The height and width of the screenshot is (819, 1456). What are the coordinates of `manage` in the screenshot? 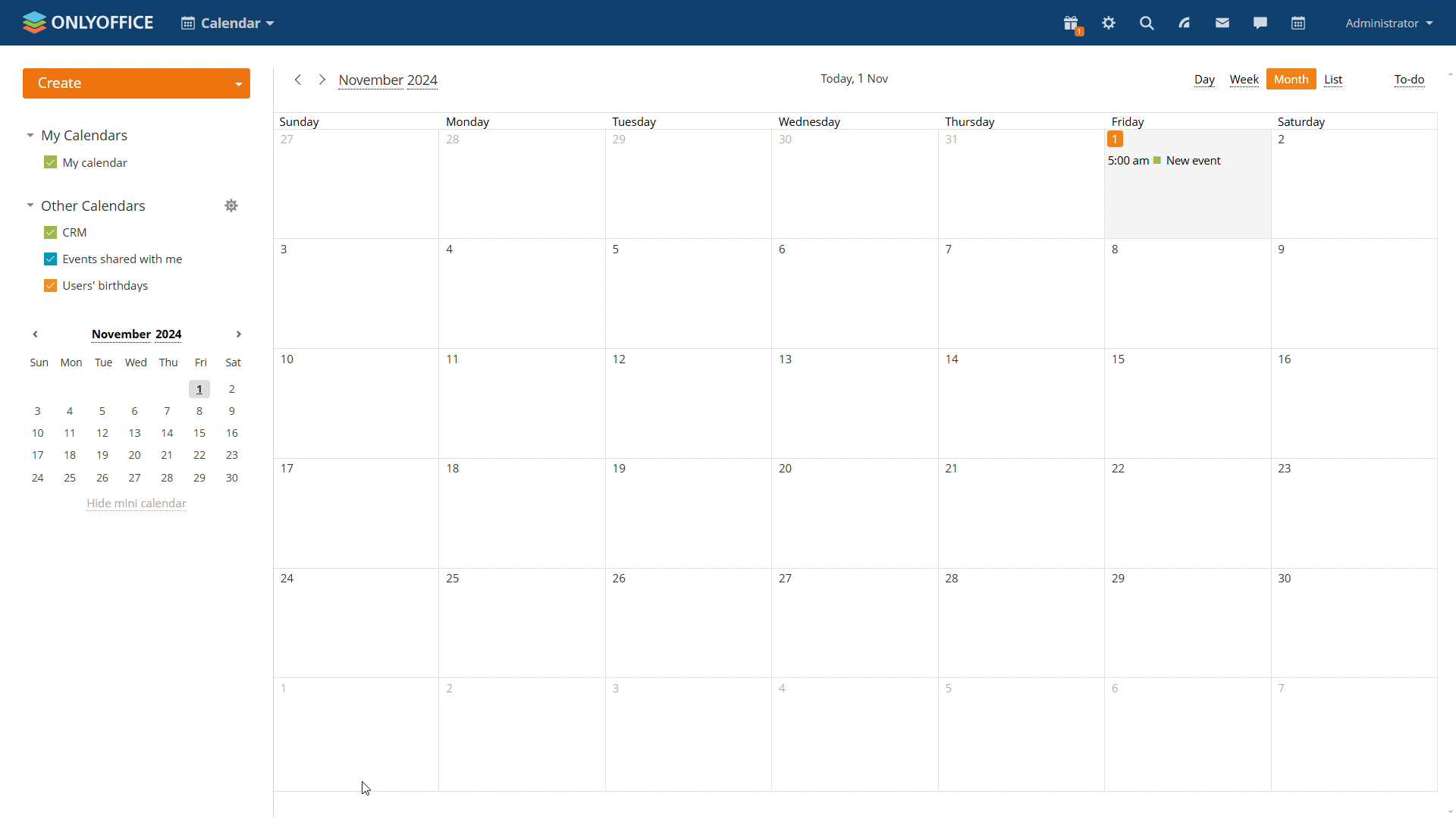 It's located at (231, 206).